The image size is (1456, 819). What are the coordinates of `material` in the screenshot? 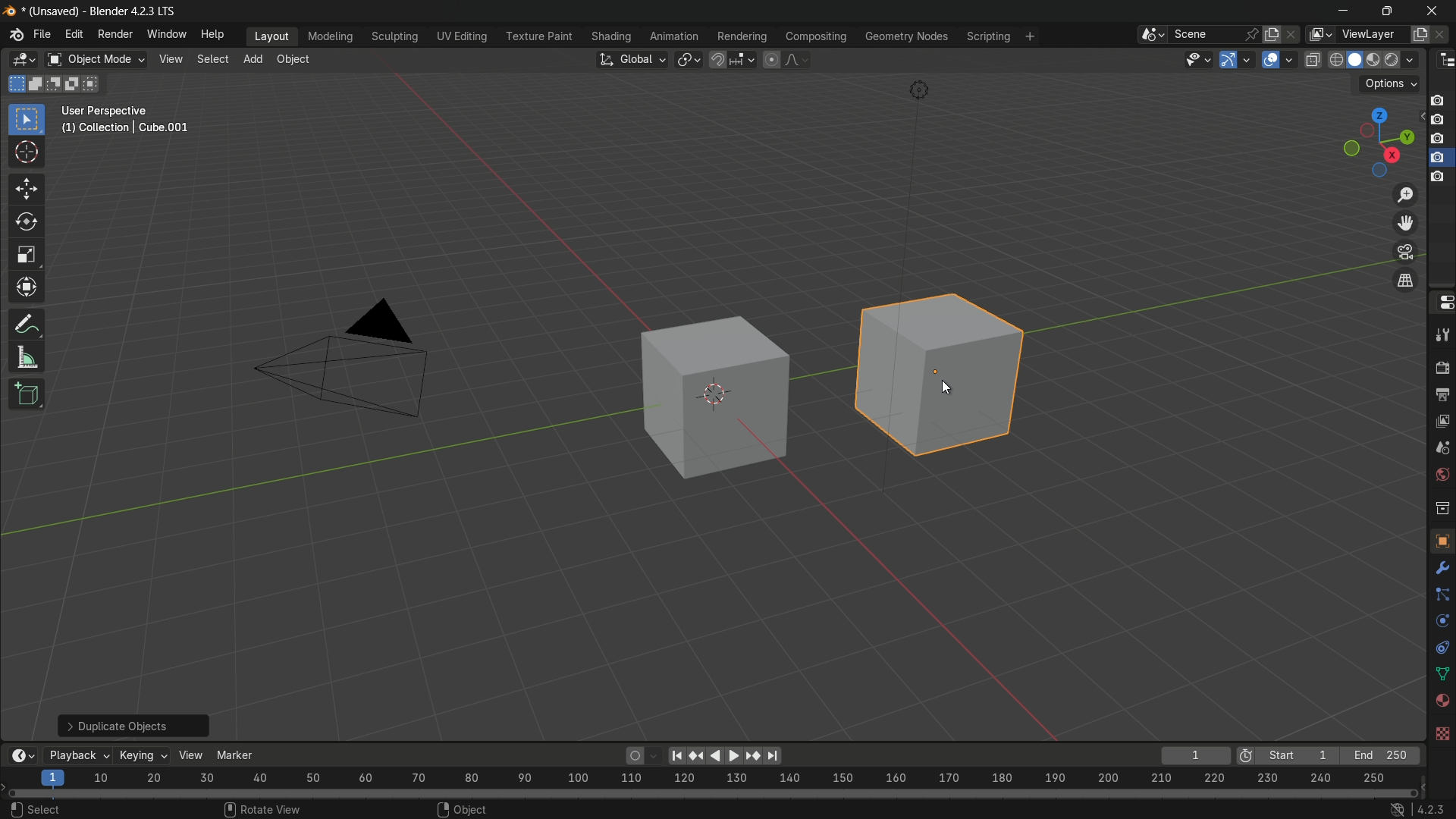 It's located at (1442, 701).